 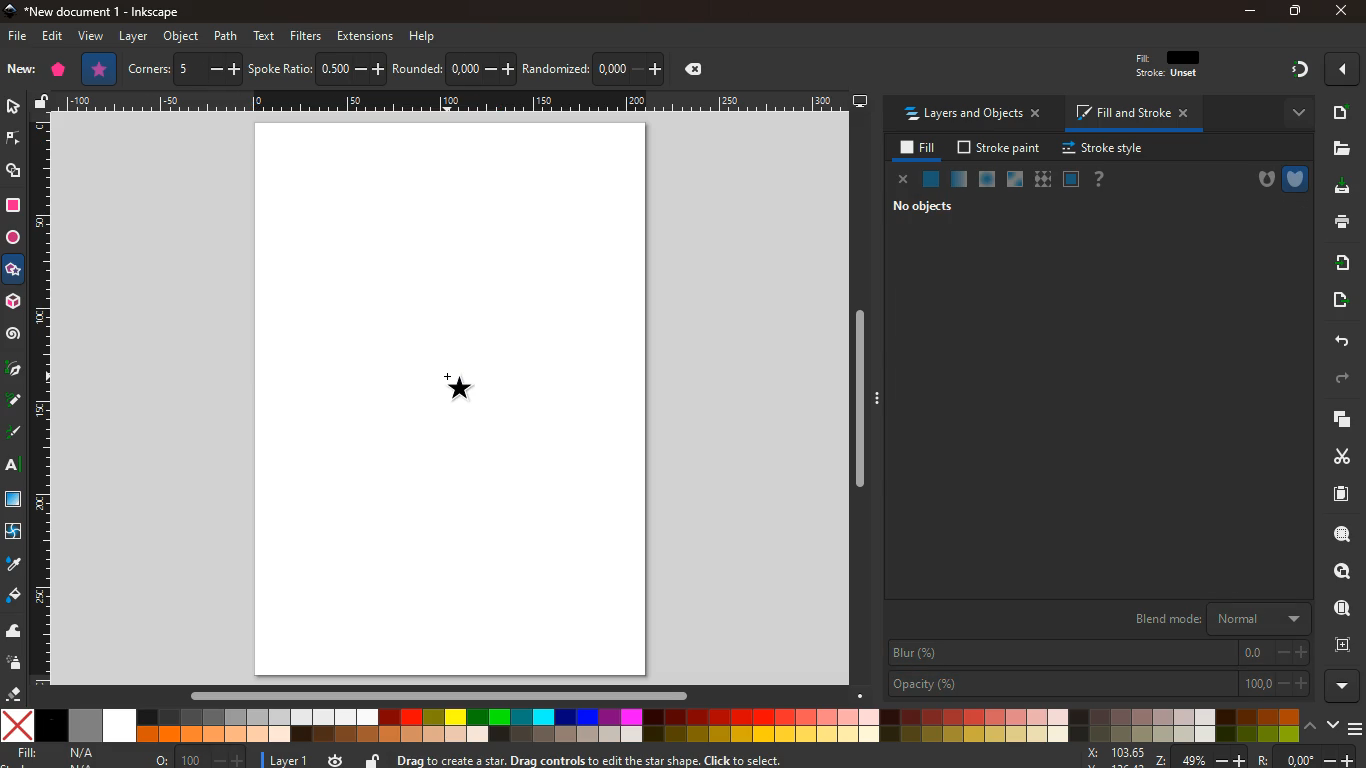 What do you see at coordinates (1293, 9) in the screenshot?
I see `maximize` at bounding box center [1293, 9].